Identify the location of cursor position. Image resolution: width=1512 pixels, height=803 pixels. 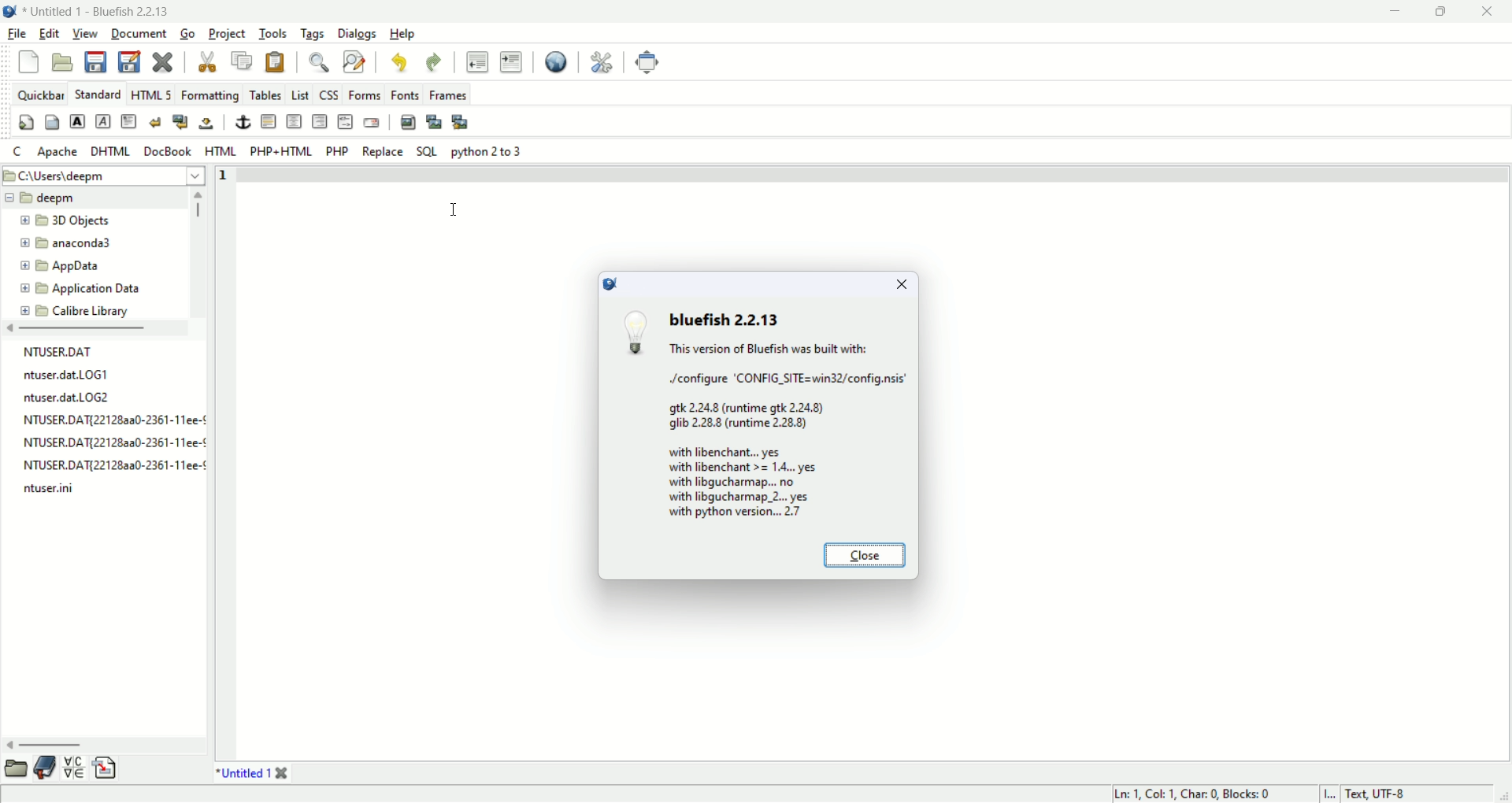
(1191, 794).